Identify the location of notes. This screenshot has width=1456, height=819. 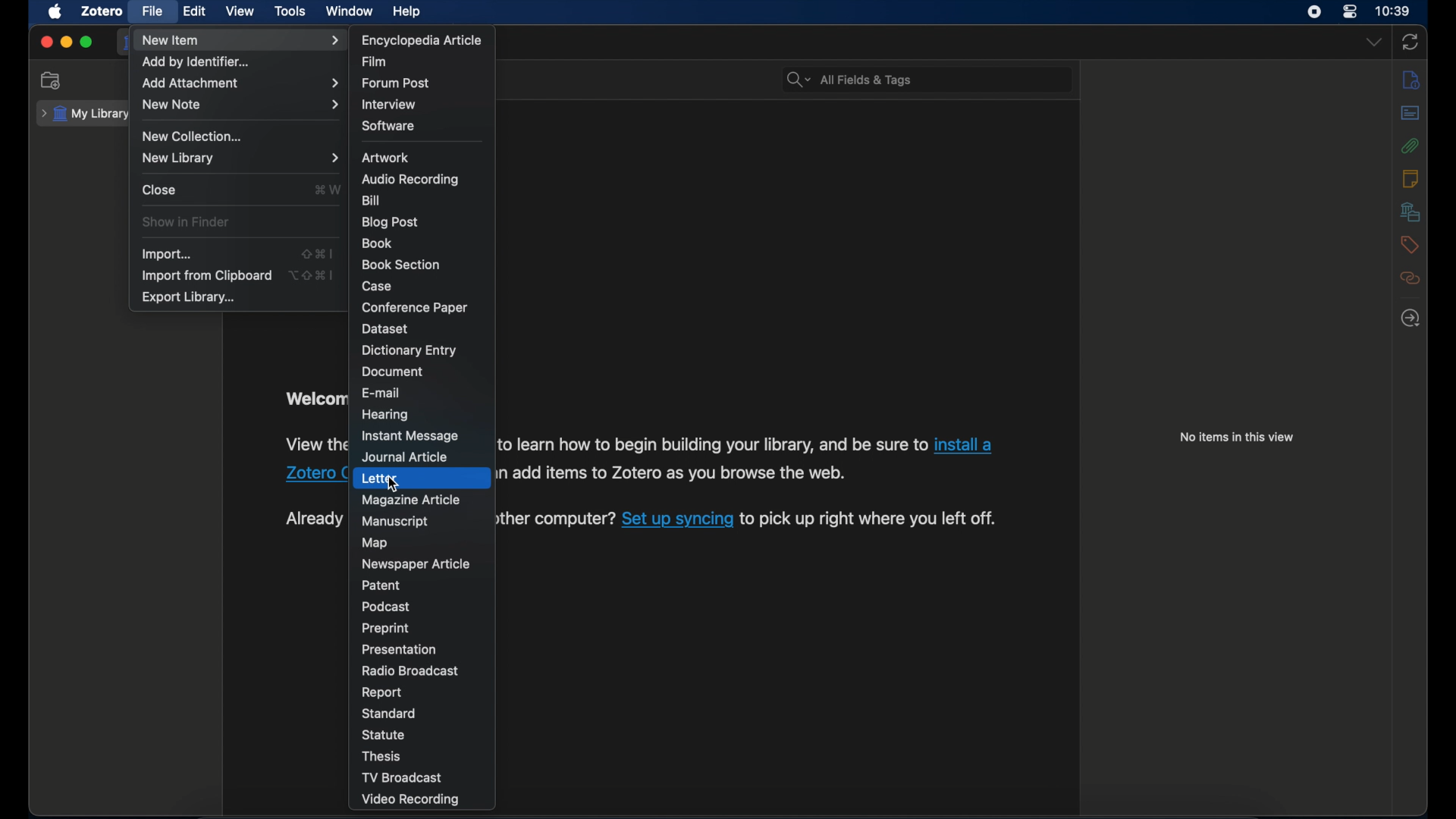
(1410, 178).